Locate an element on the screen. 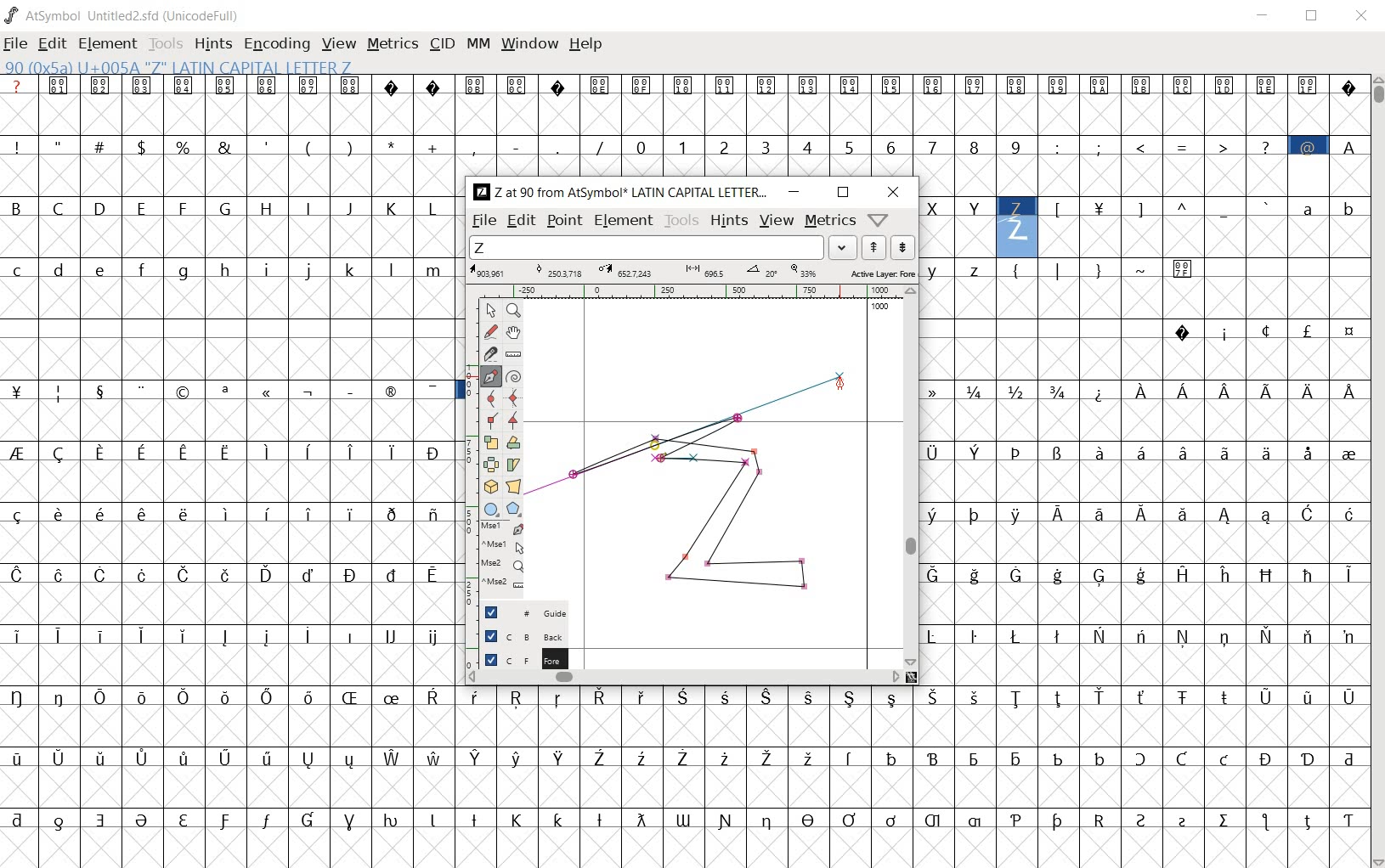  creative tail design is located at coordinates (688, 431).